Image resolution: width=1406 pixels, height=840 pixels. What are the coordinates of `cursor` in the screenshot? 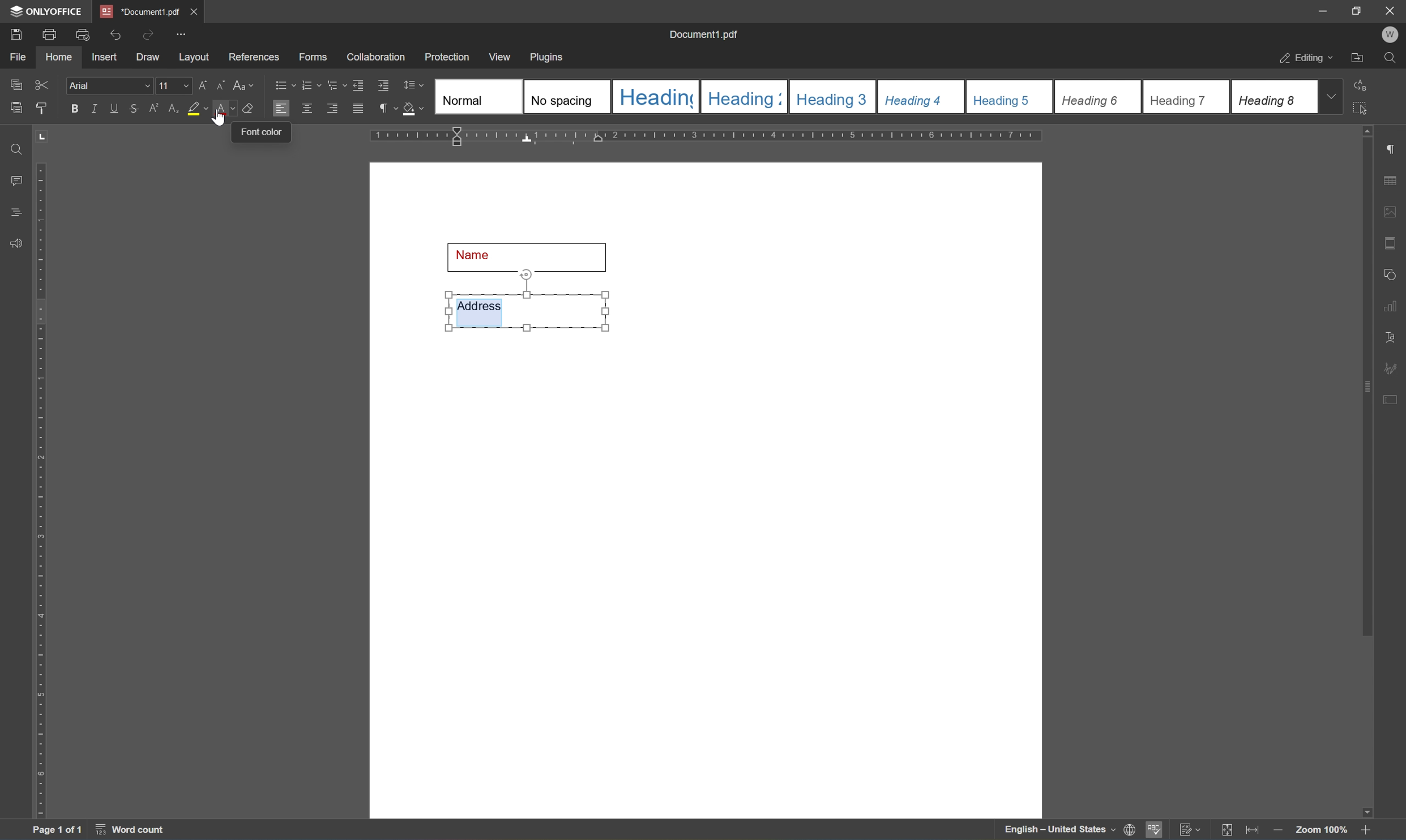 It's located at (221, 118).